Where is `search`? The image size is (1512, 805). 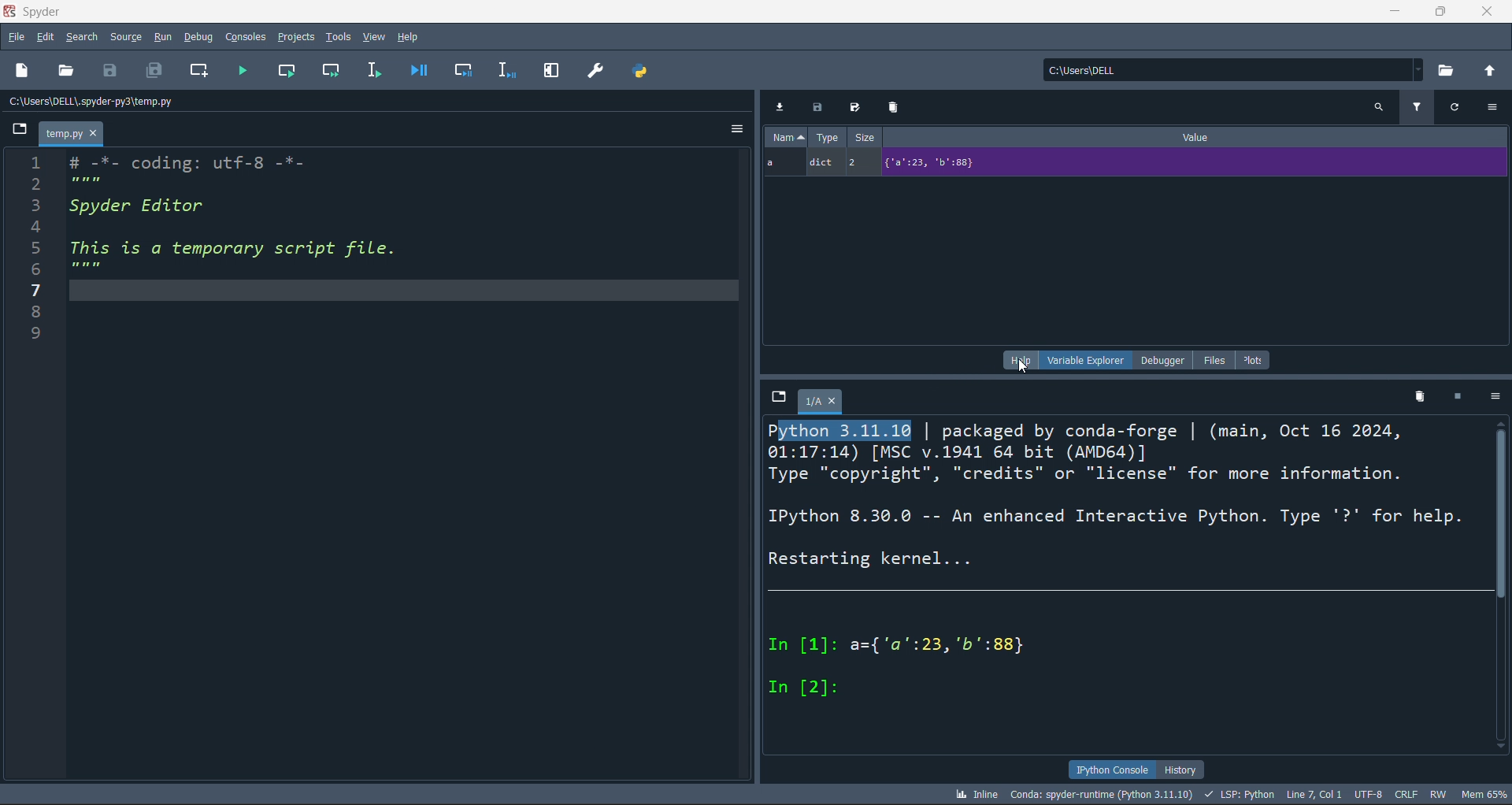
search is located at coordinates (80, 35).